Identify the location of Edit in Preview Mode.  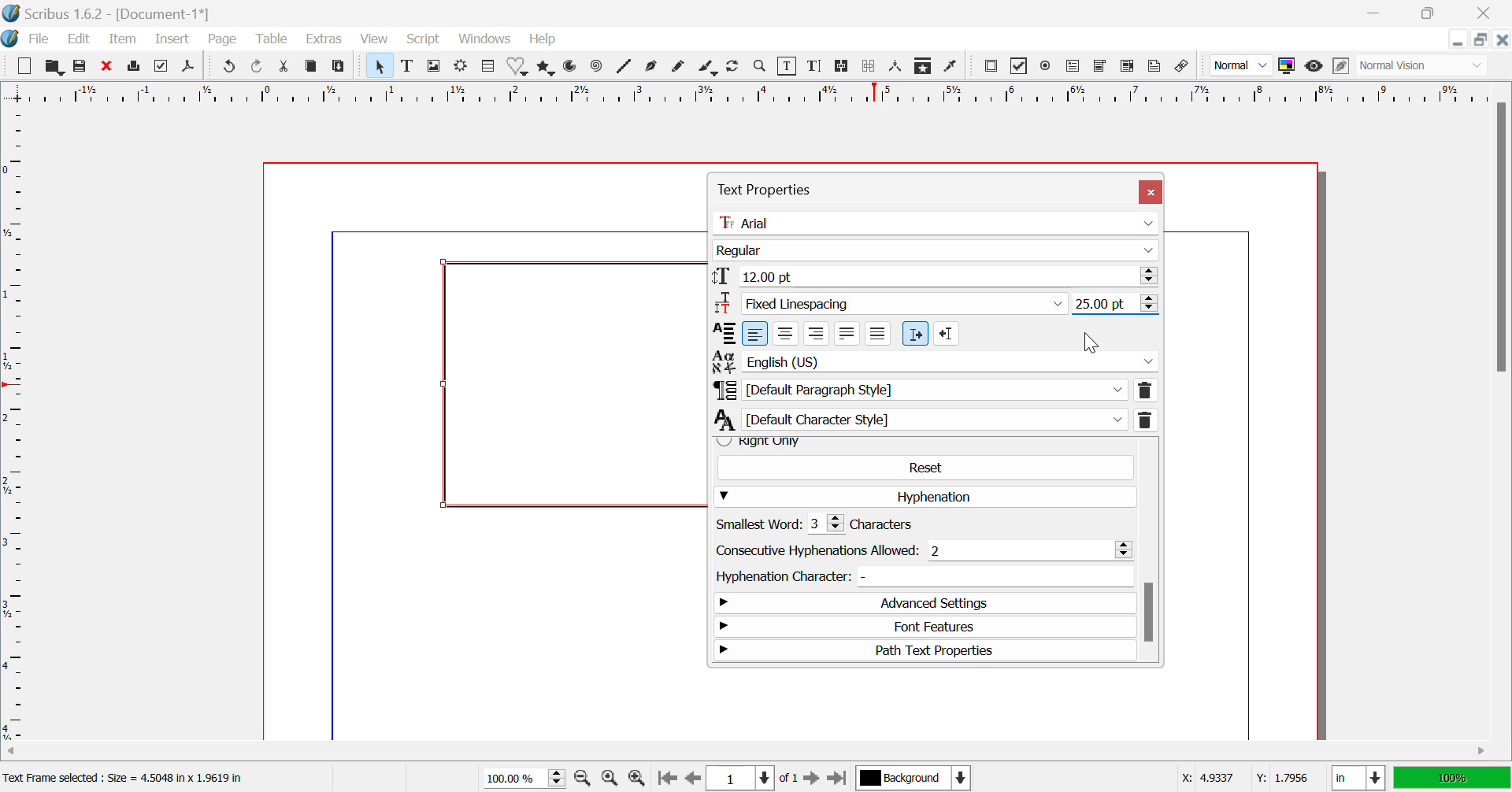
(1341, 68).